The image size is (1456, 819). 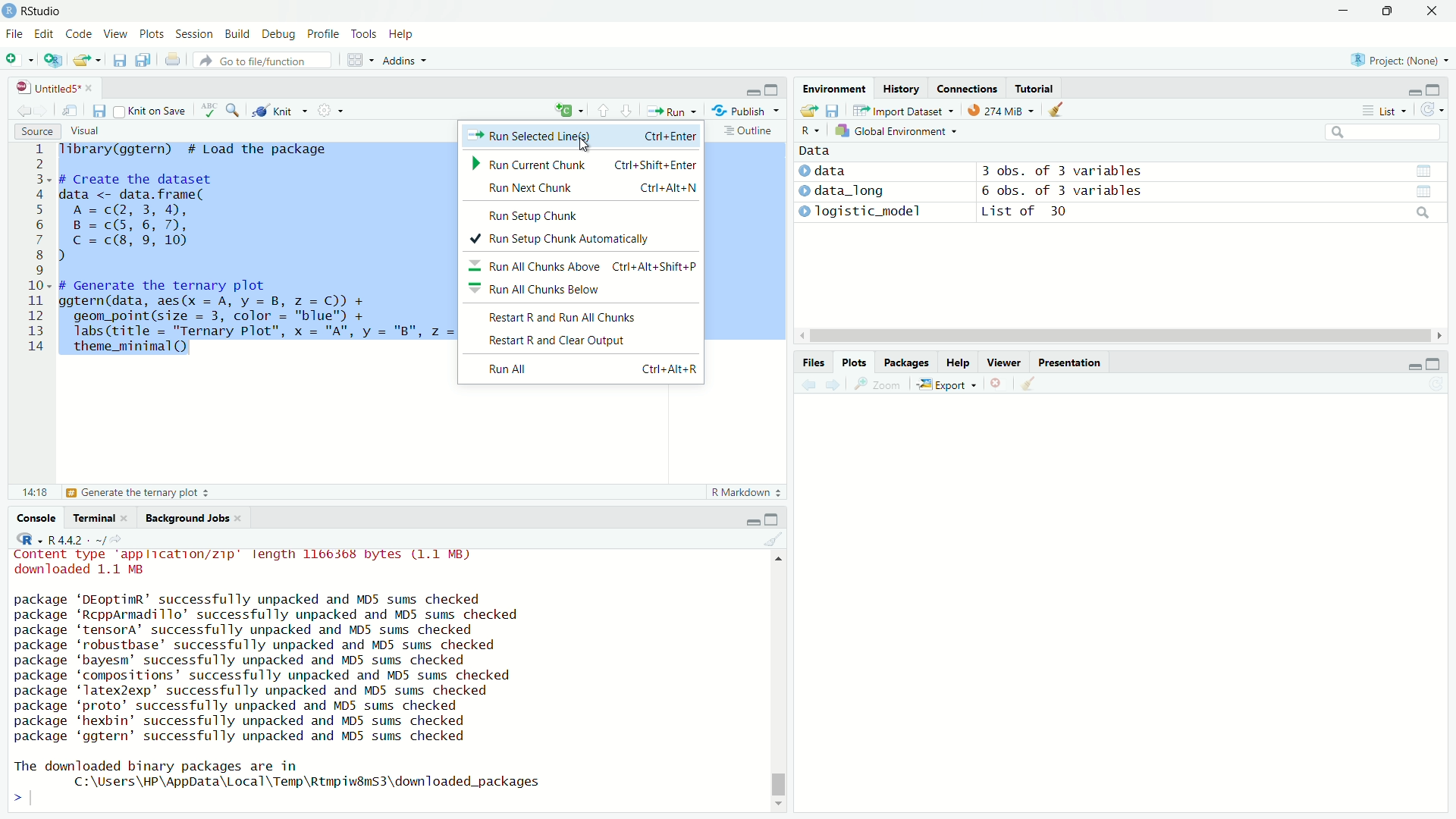 I want to click on List, so click(x=1381, y=111).